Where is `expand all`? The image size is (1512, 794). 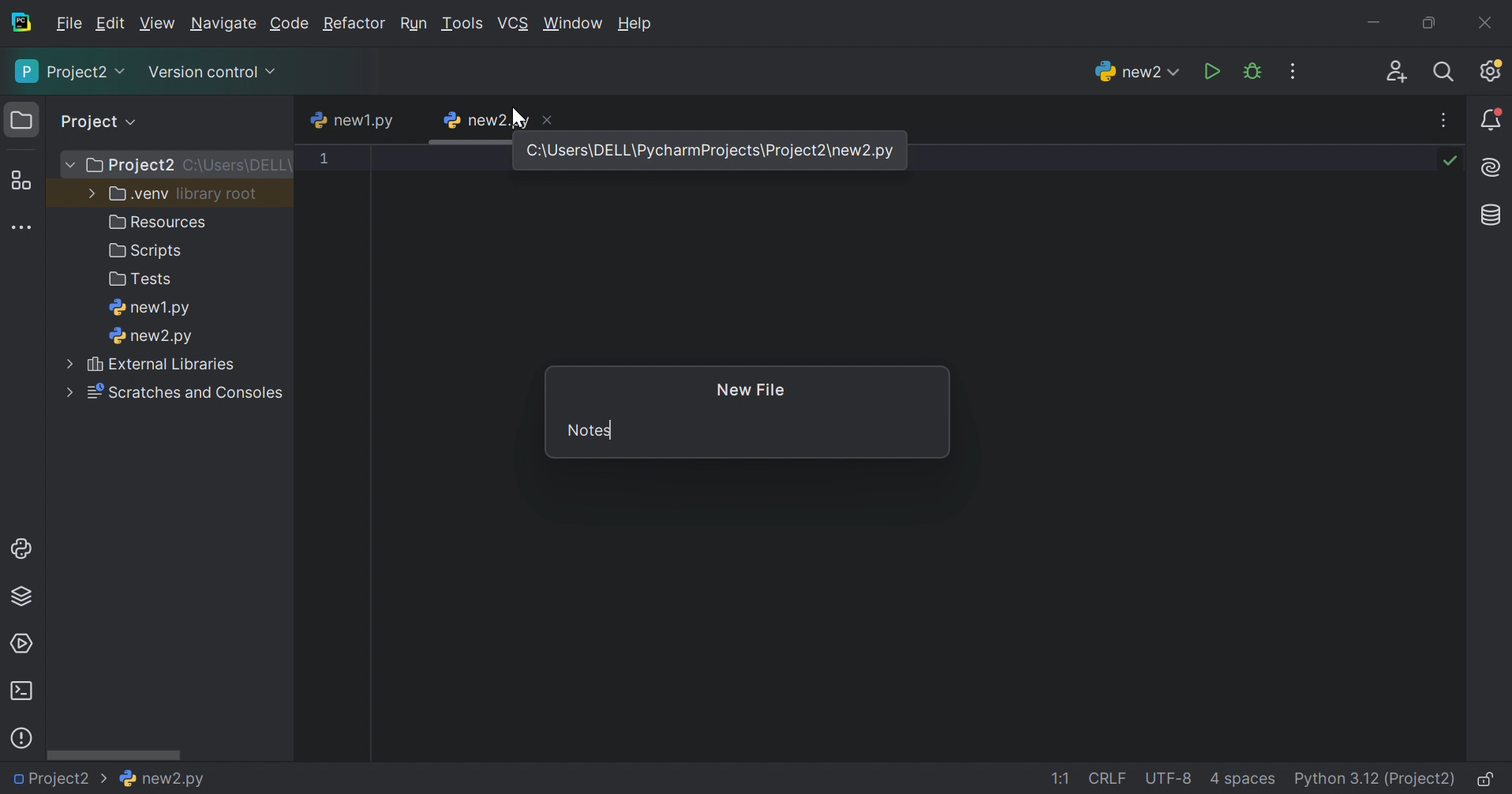 expand all is located at coordinates (134, 121).